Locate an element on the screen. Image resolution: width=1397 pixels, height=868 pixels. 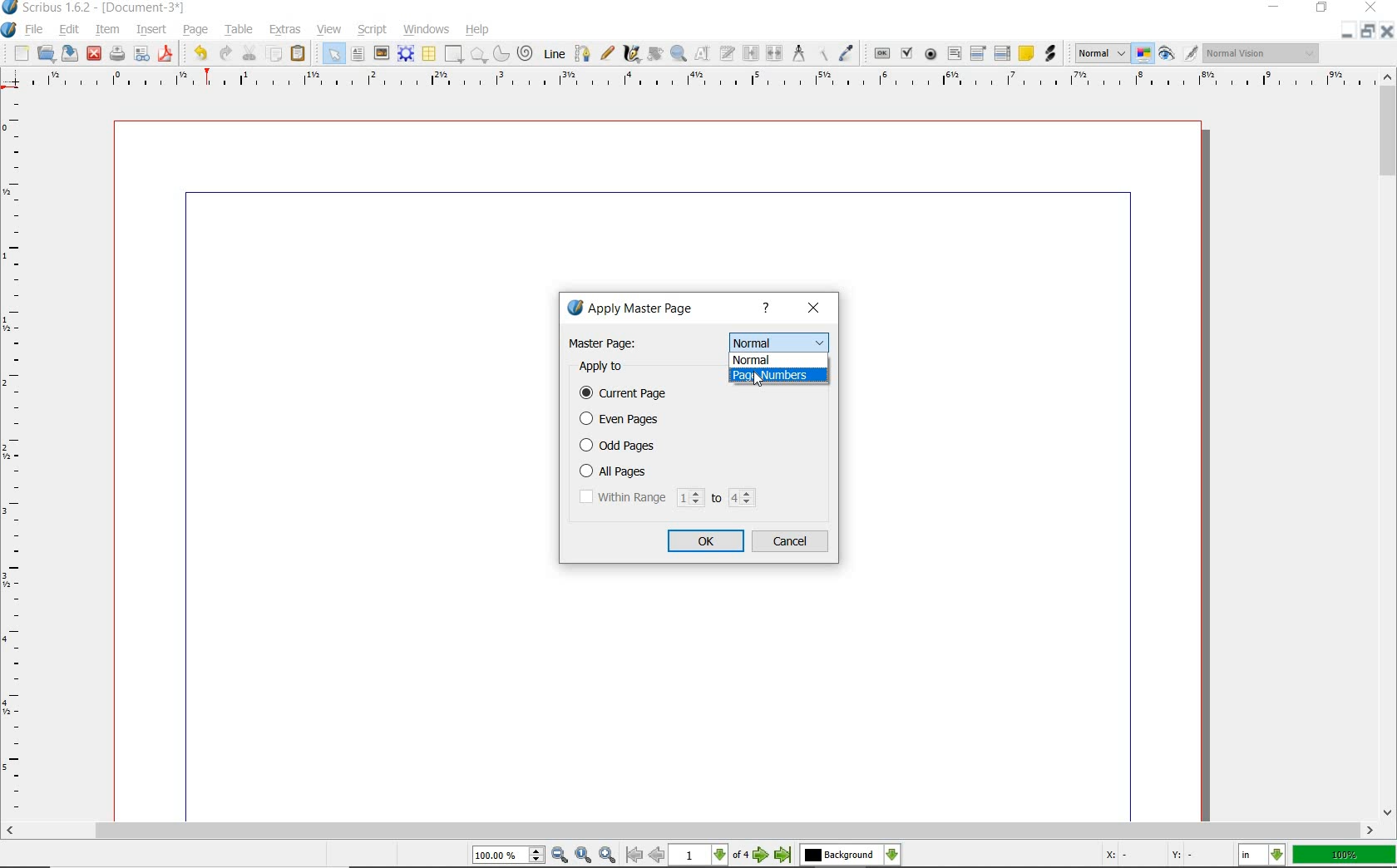
table is located at coordinates (238, 30).